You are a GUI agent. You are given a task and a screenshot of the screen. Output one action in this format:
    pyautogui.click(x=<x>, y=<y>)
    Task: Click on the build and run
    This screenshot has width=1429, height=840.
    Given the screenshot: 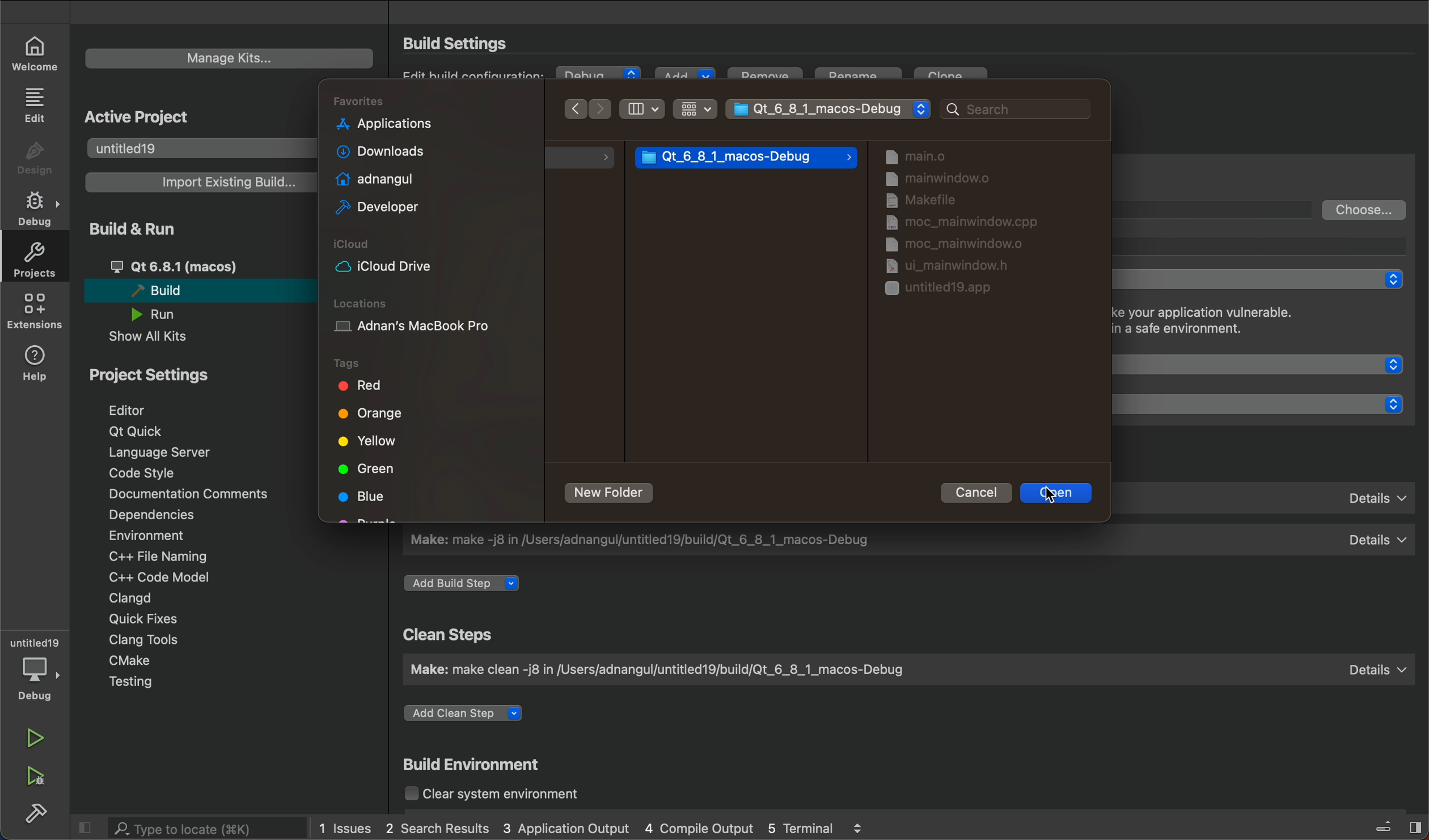 What is the action you would take?
    pyautogui.click(x=145, y=228)
    